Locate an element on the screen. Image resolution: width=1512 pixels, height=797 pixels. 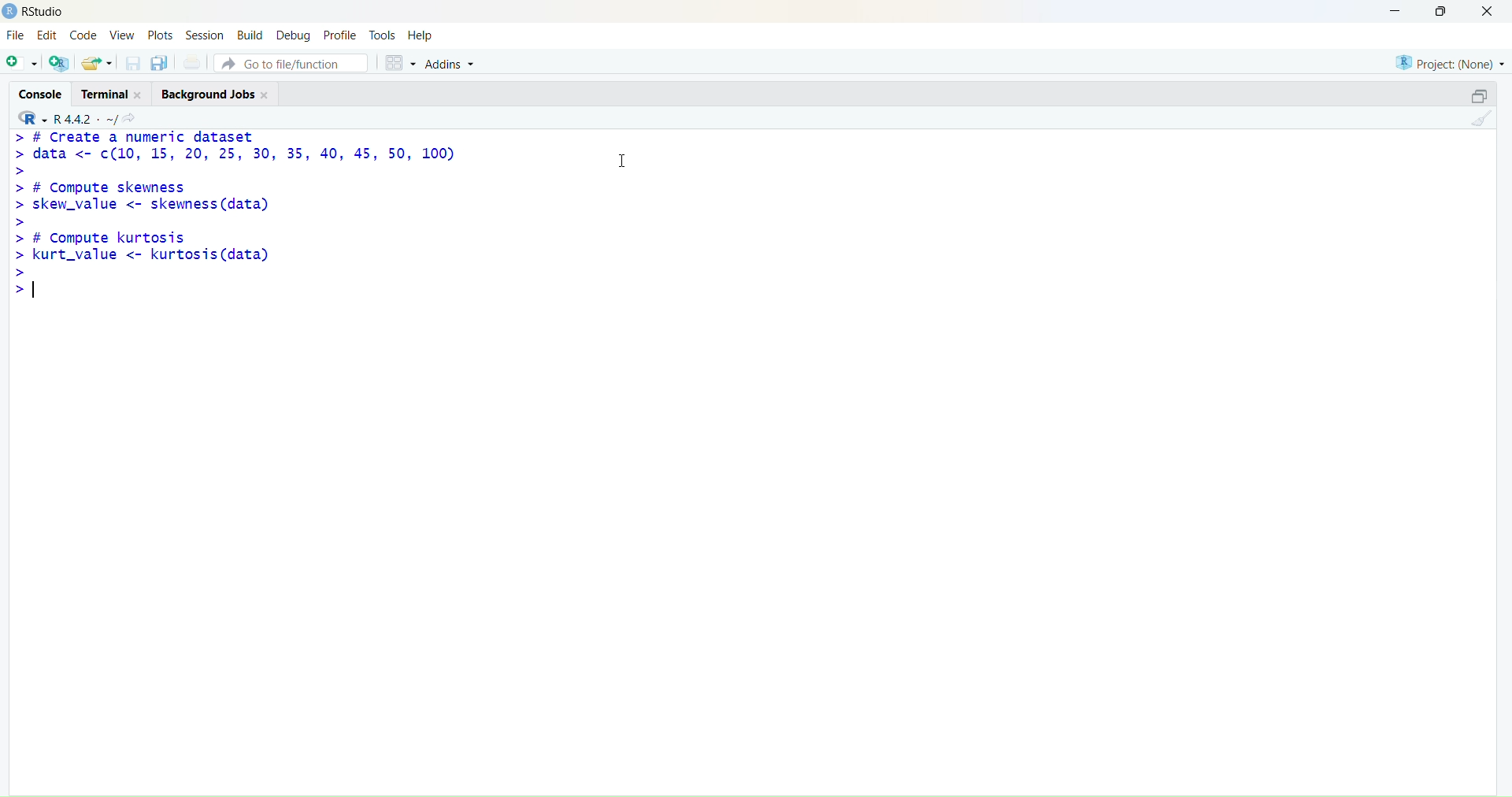
Session is located at coordinates (206, 35).